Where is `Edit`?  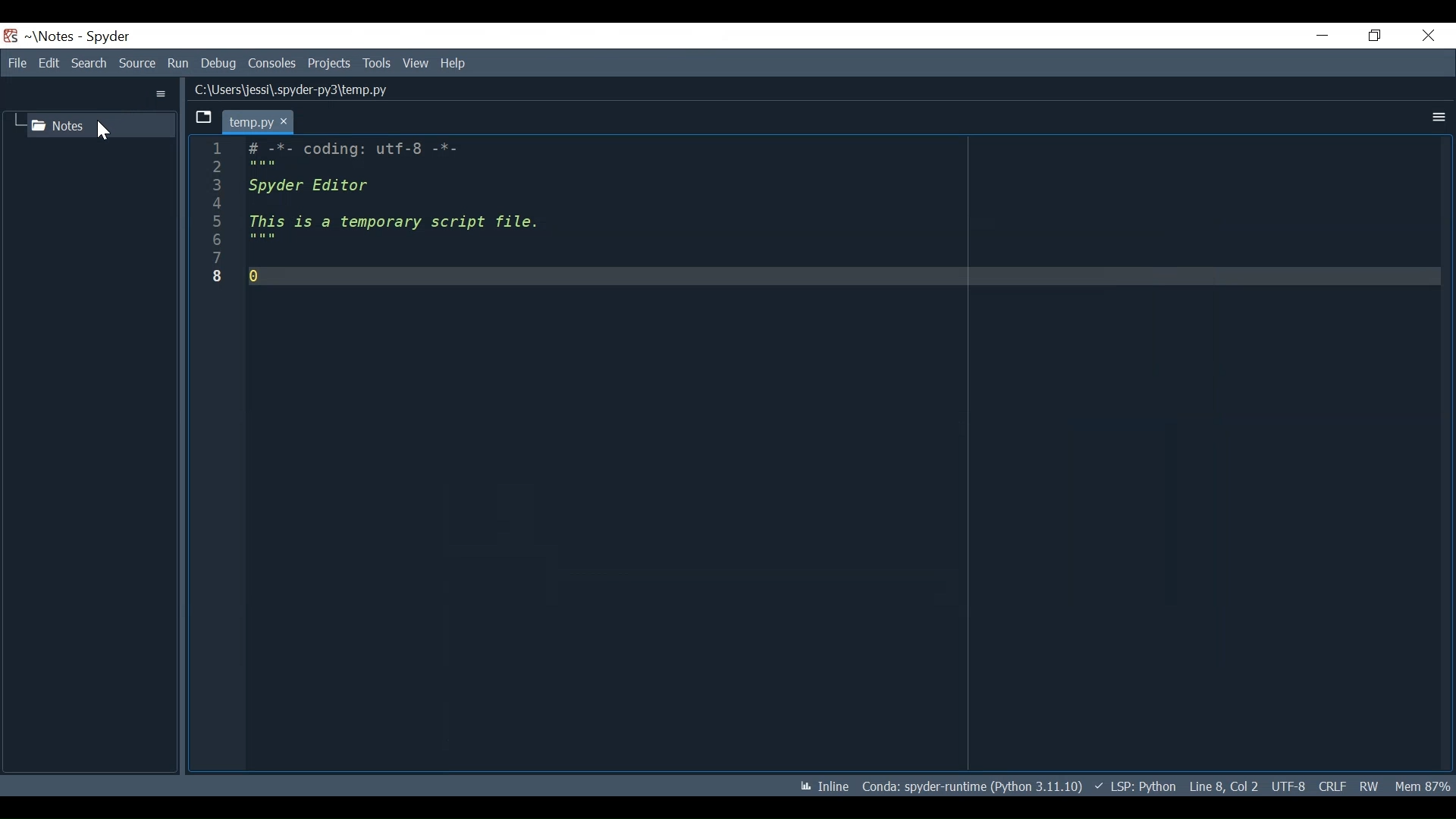 Edit is located at coordinates (48, 63).